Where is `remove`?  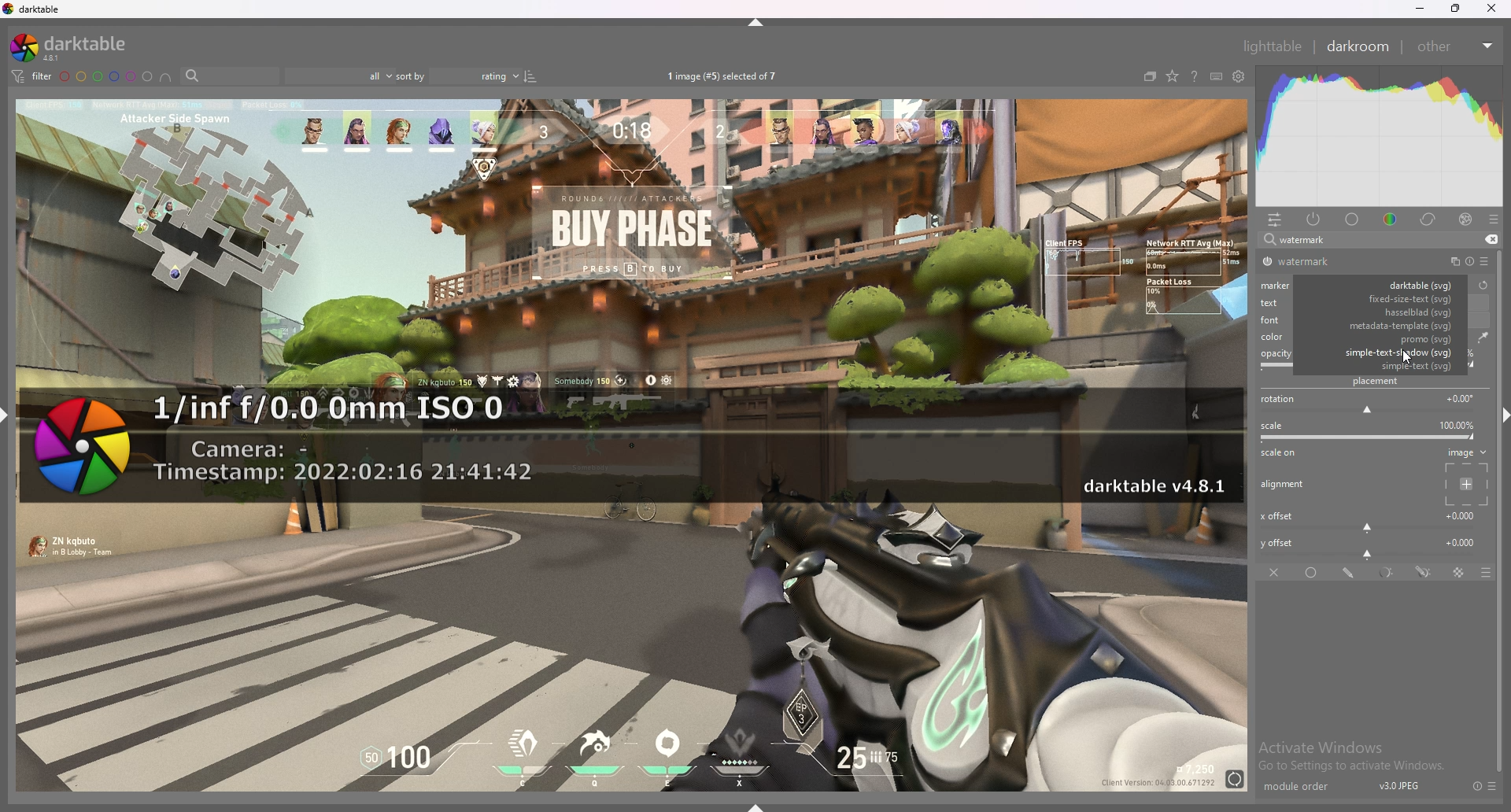
remove is located at coordinates (1489, 240).